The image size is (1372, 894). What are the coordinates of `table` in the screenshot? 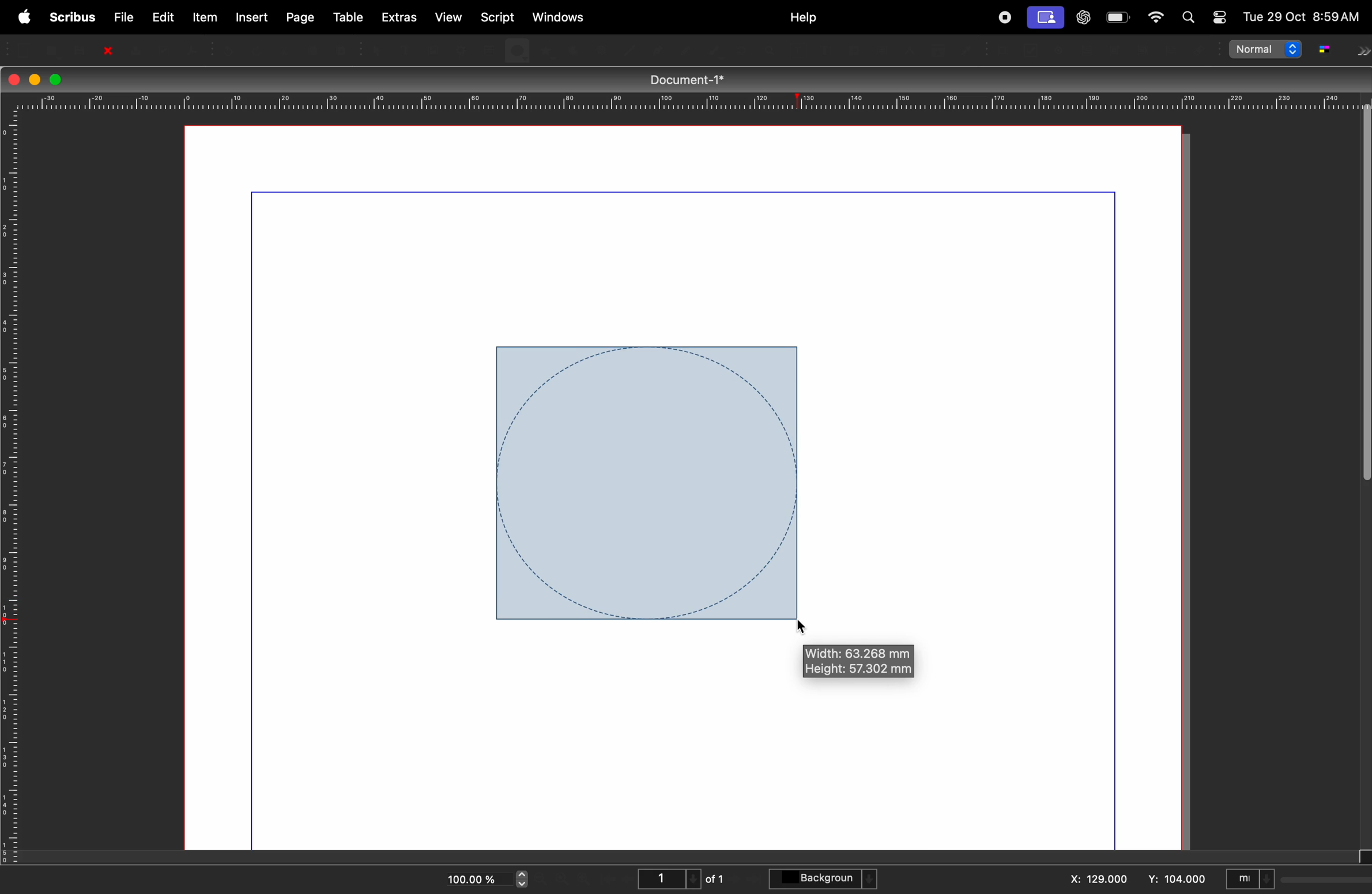 It's located at (346, 14).